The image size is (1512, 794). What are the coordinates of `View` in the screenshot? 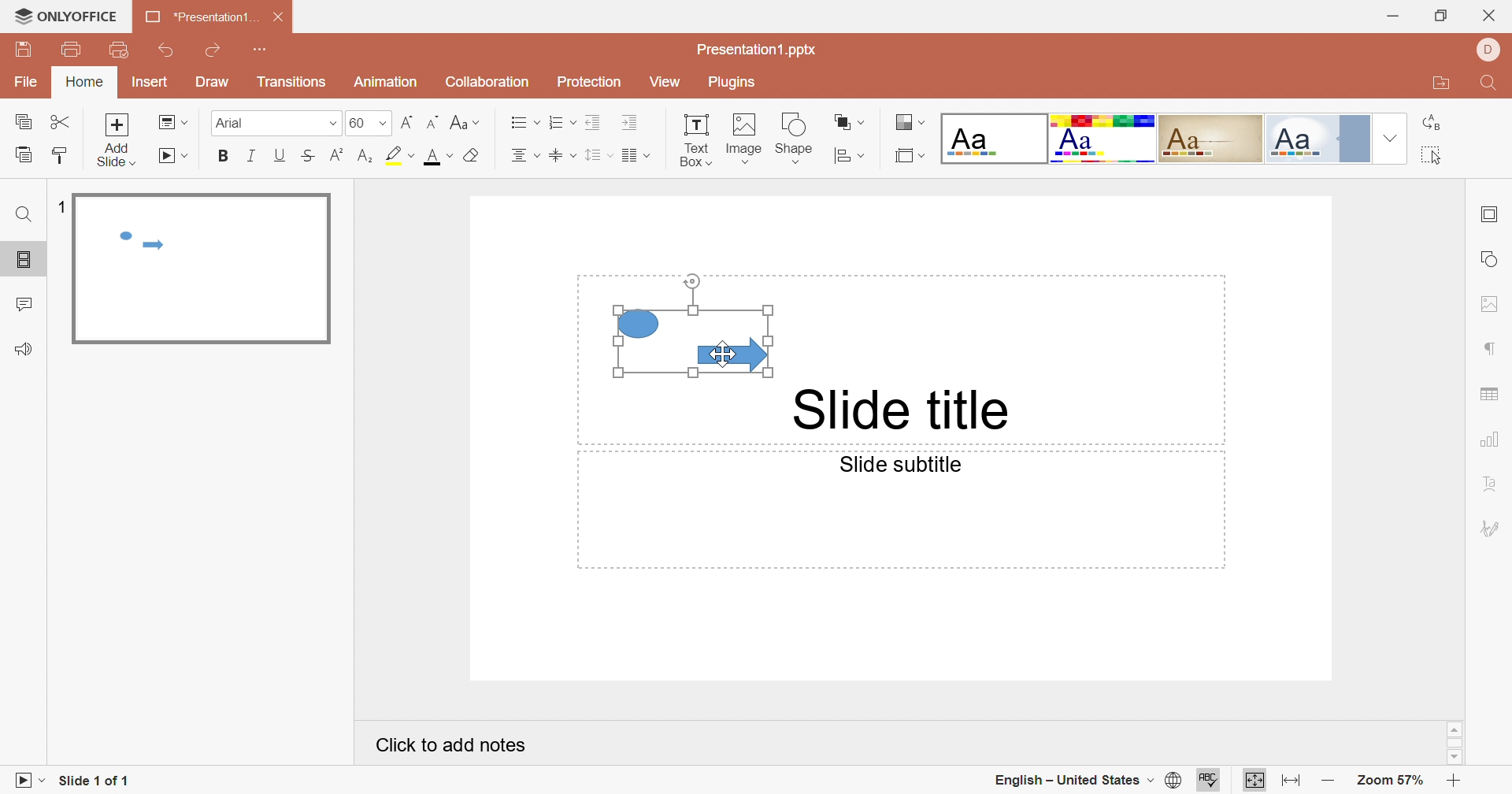 It's located at (667, 81).